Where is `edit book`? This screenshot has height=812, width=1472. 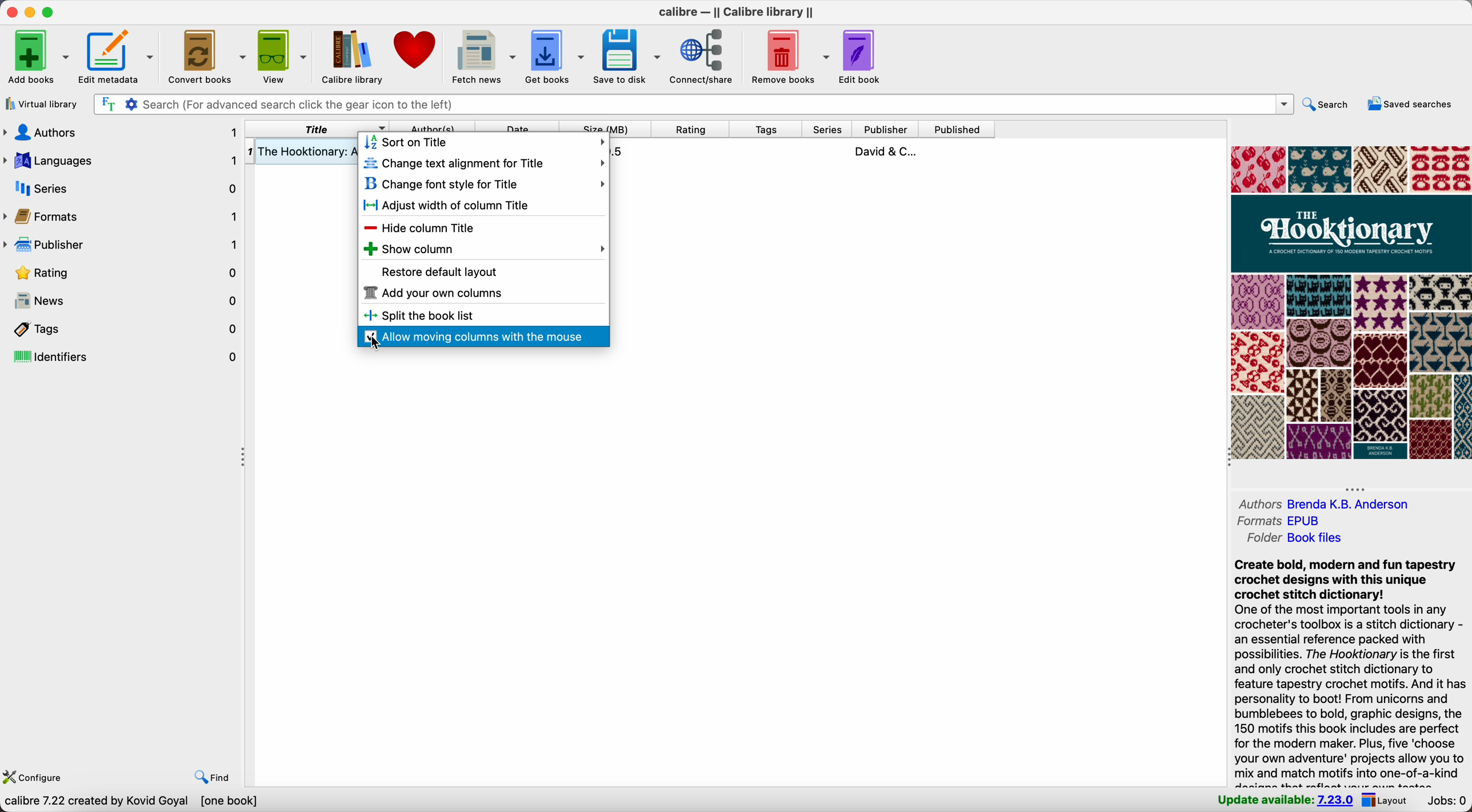
edit book is located at coordinates (862, 58).